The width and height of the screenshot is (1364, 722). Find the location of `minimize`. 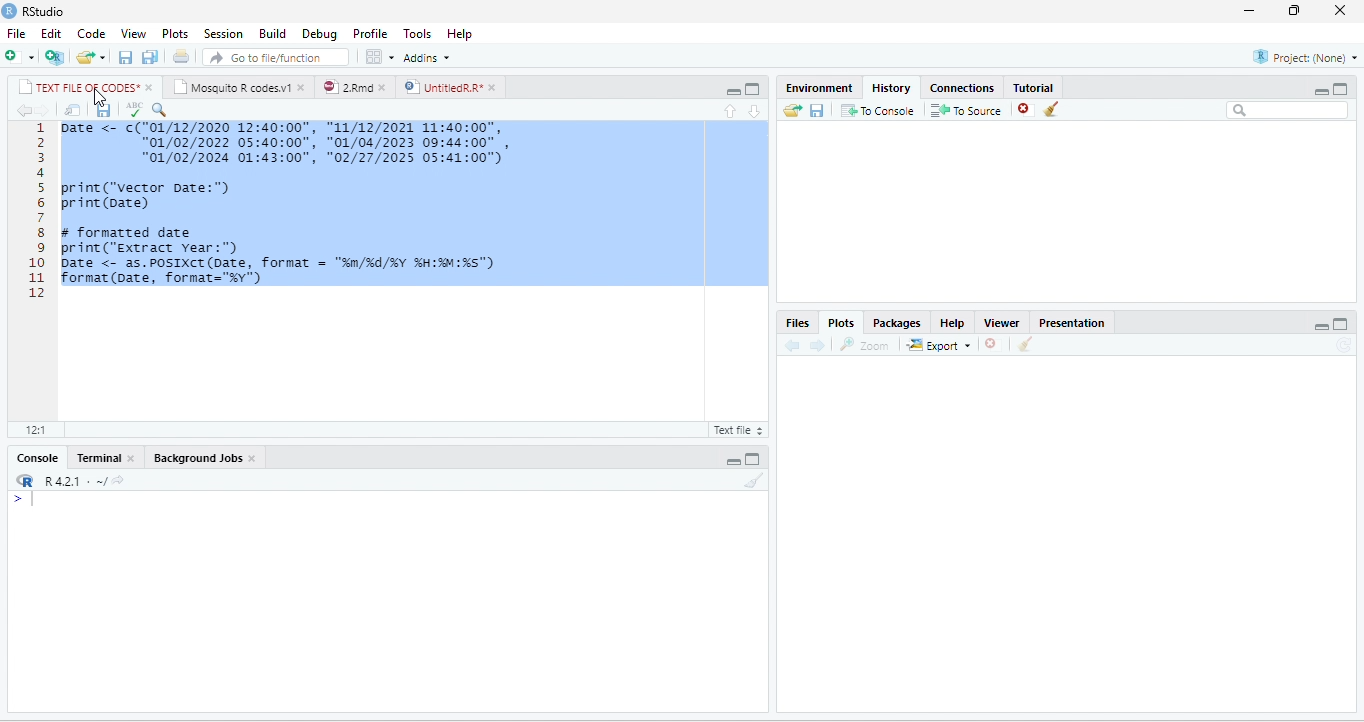

minimize is located at coordinates (1250, 11).